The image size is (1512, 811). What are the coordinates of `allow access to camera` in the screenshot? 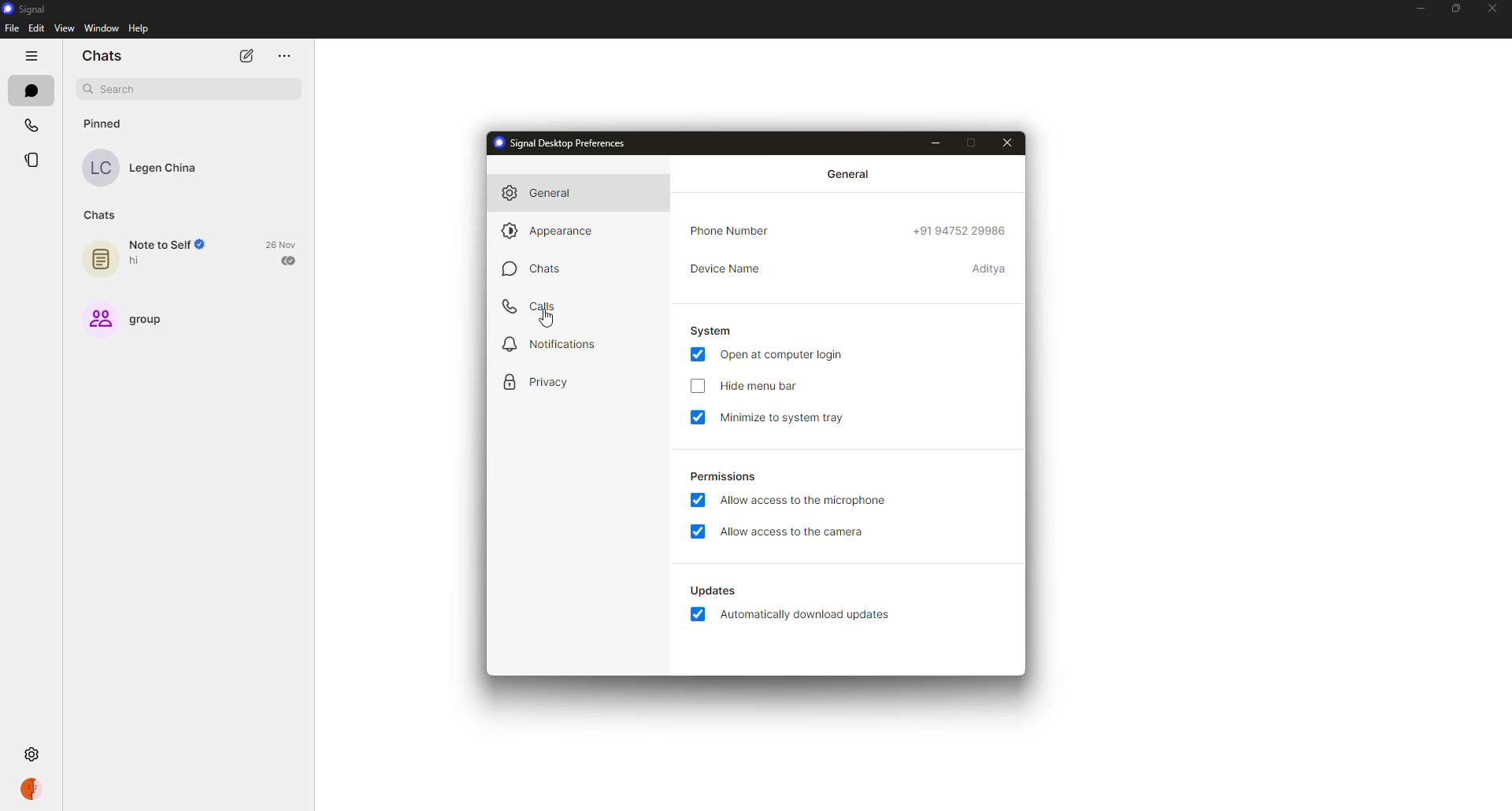 It's located at (795, 534).